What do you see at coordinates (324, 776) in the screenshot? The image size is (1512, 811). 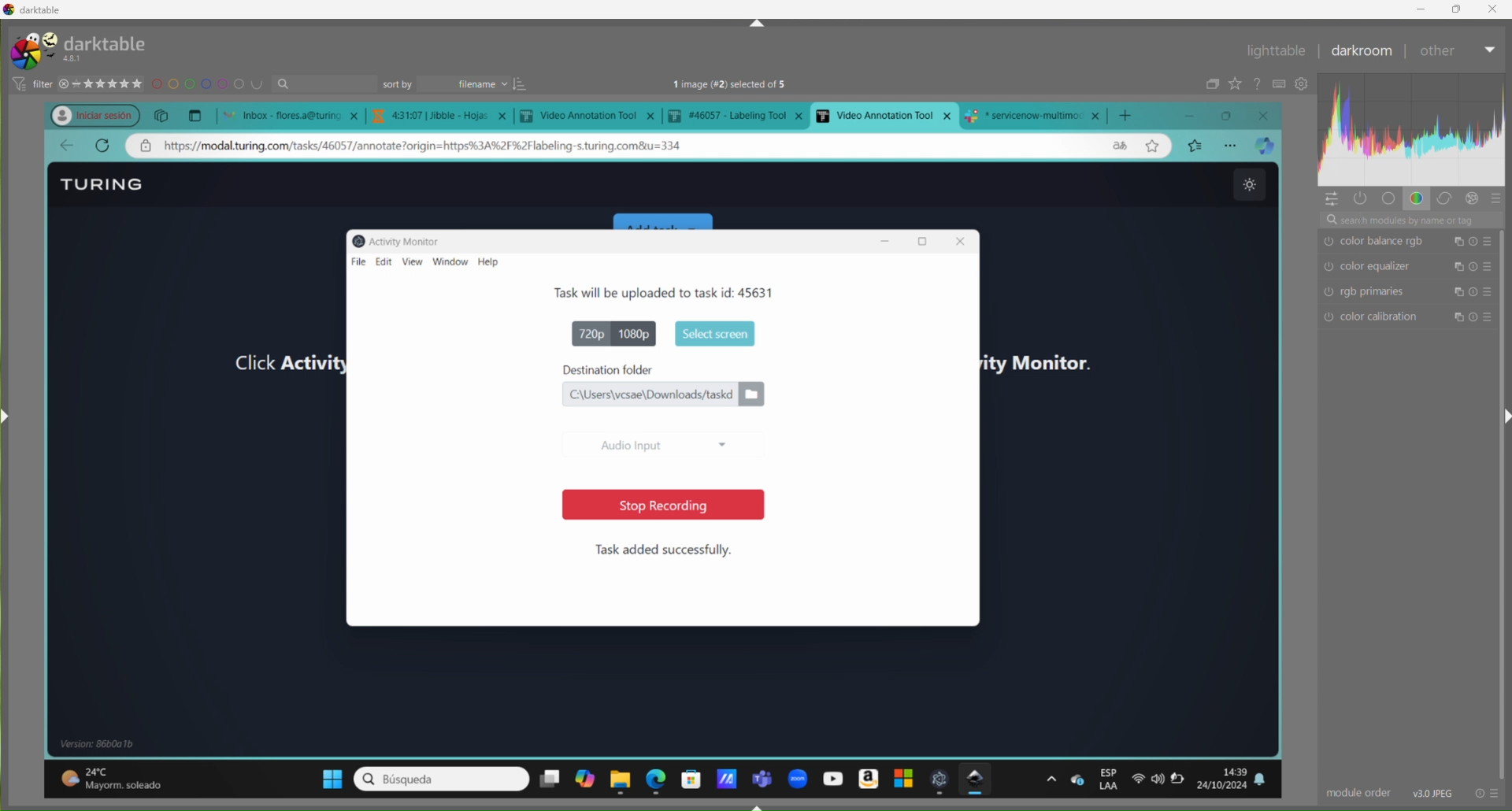 I see `windows` at bounding box center [324, 776].